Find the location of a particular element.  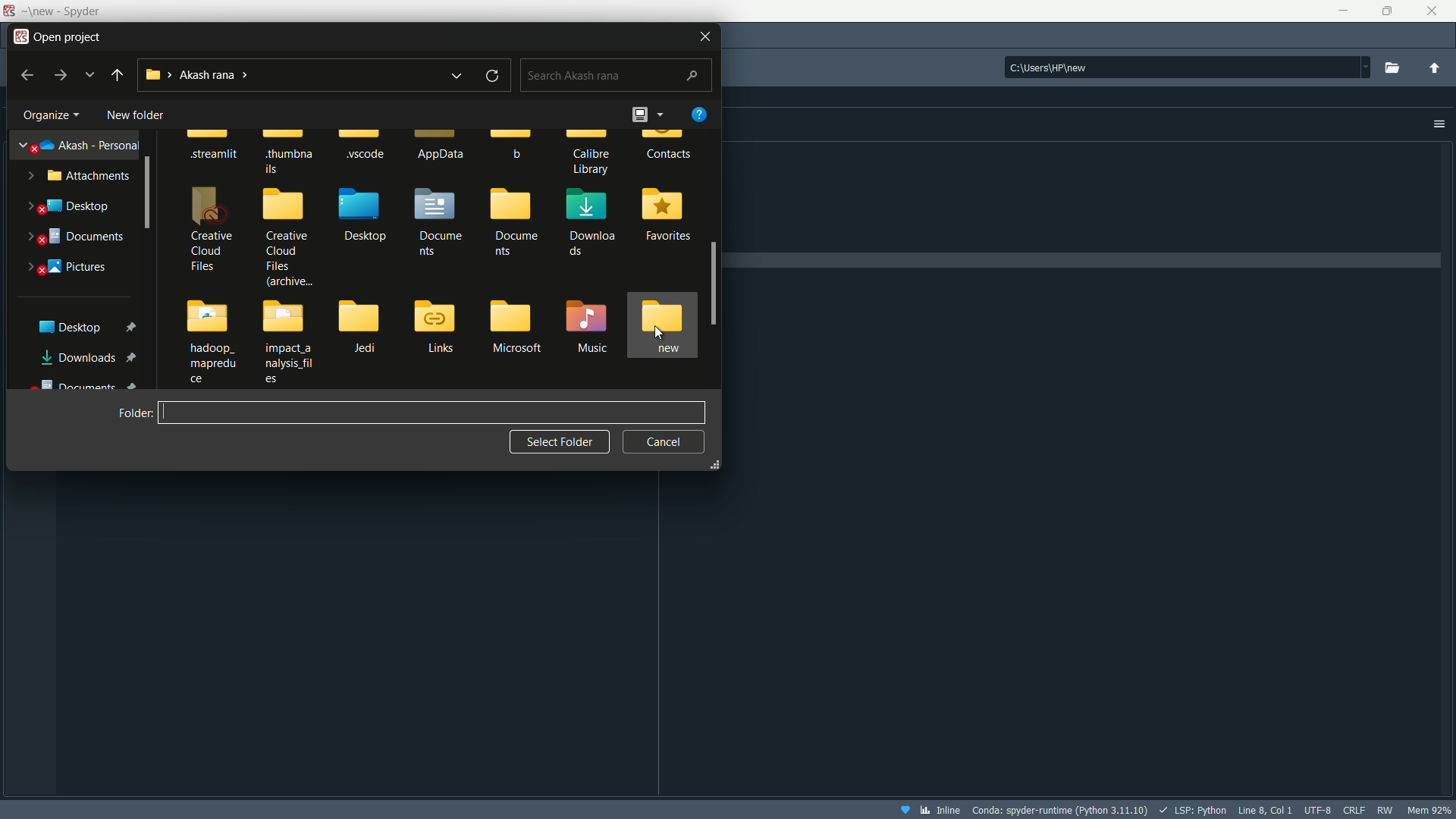

cursor position is located at coordinates (1263, 808).